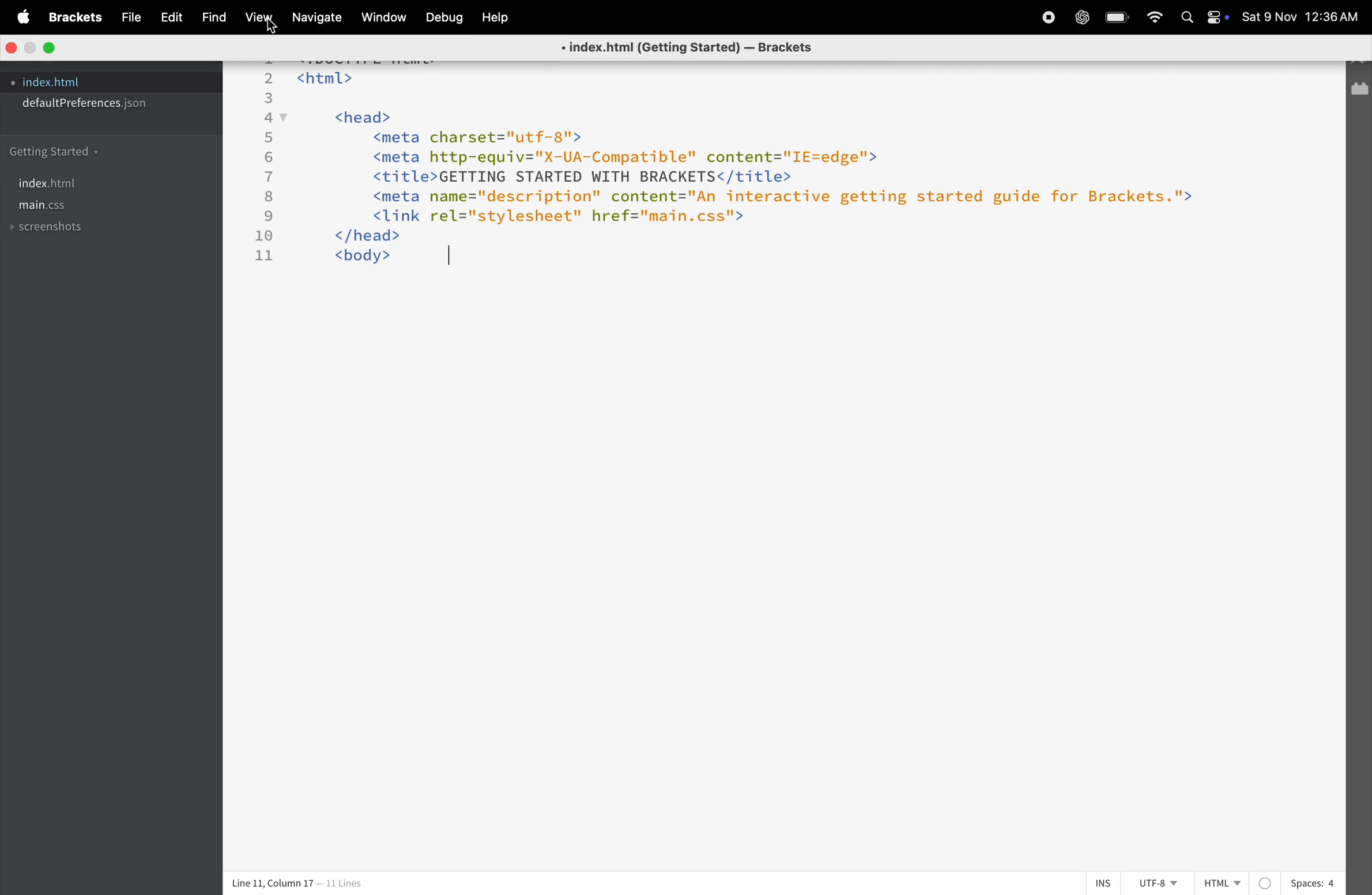 The width and height of the screenshot is (1372, 895). Describe the element at coordinates (295, 884) in the screenshot. I see `coloumn and lines` at that location.